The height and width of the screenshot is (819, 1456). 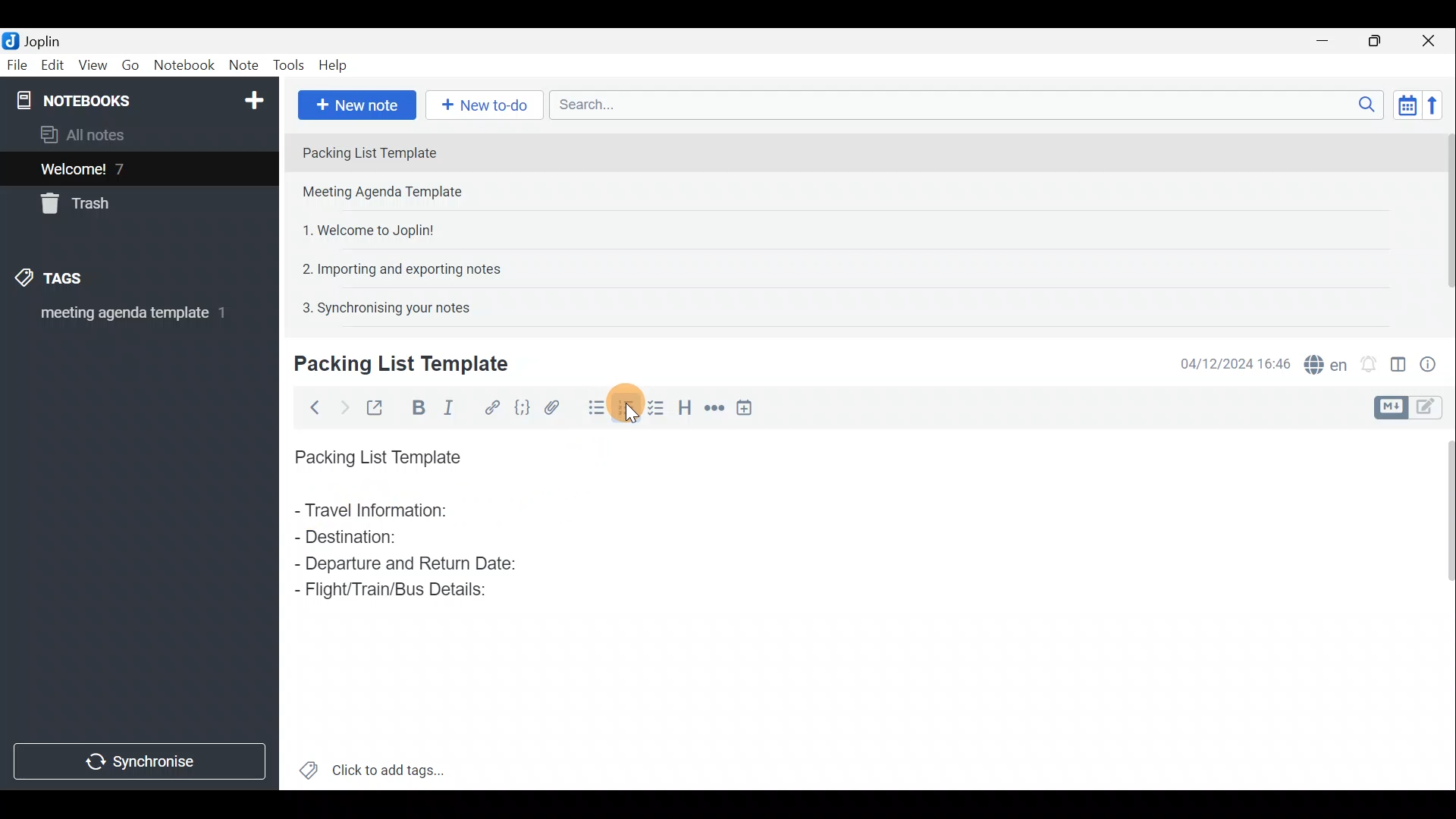 What do you see at coordinates (184, 67) in the screenshot?
I see `Notebook` at bounding box center [184, 67].